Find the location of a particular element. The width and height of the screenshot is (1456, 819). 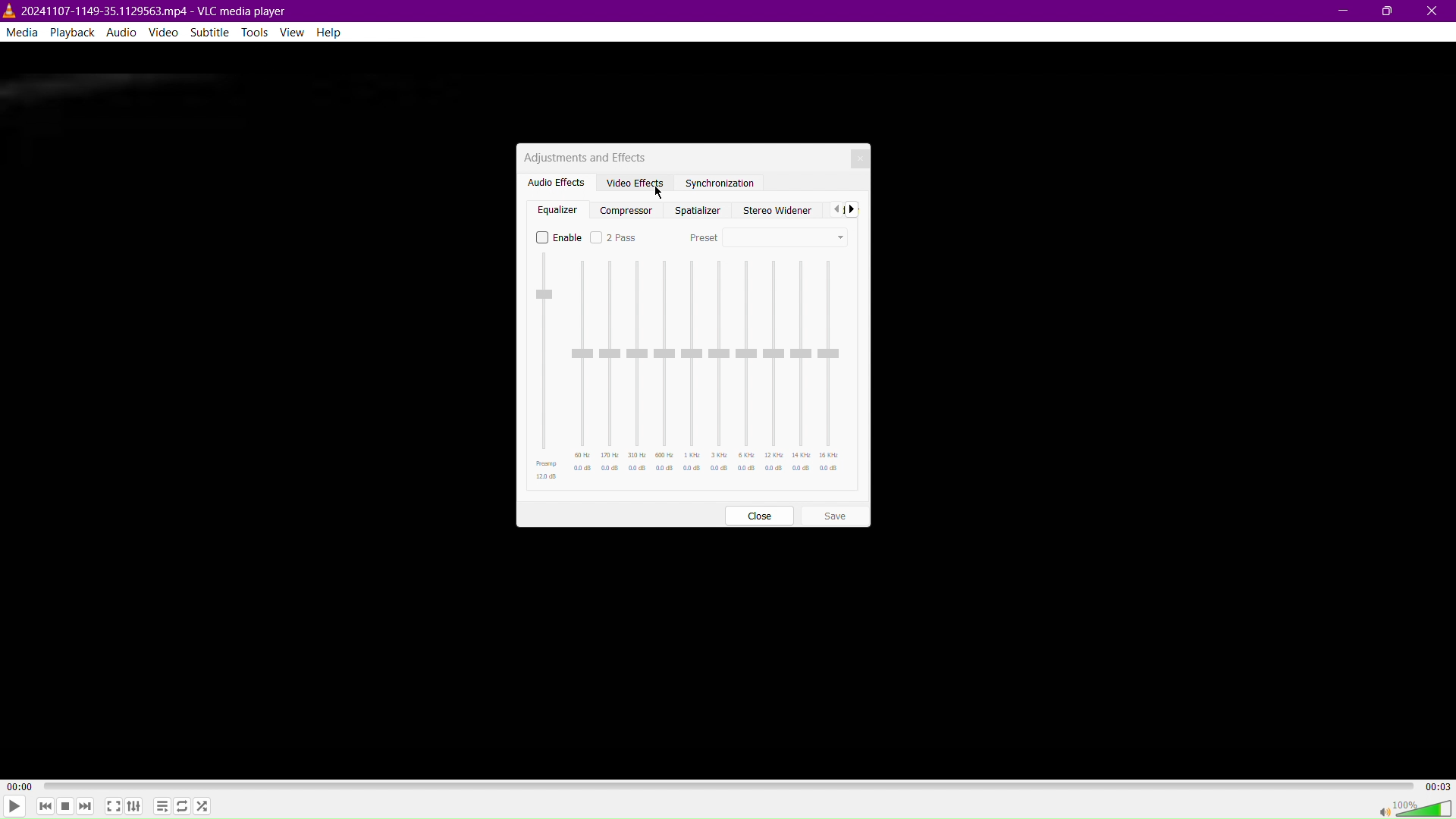

Minimize is located at coordinates (1345, 11).